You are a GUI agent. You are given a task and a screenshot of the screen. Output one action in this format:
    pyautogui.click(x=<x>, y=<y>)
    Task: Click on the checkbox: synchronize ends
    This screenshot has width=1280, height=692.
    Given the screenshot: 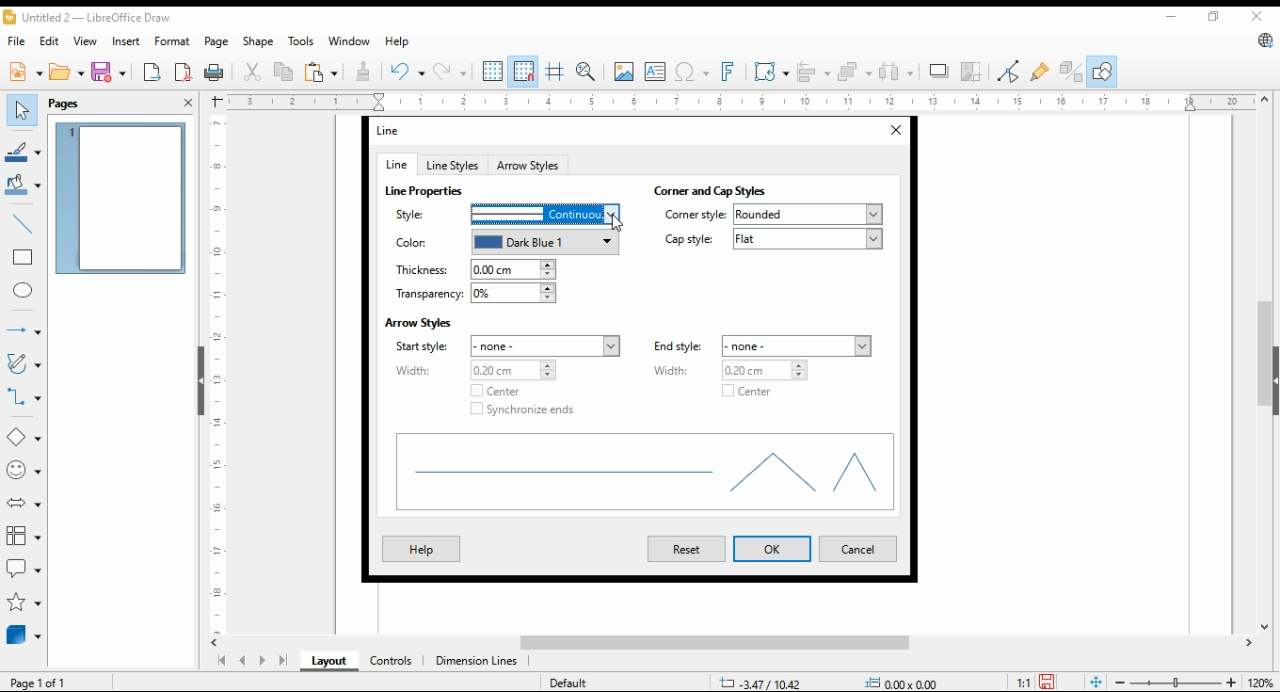 What is the action you would take?
    pyautogui.click(x=523, y=409)
    